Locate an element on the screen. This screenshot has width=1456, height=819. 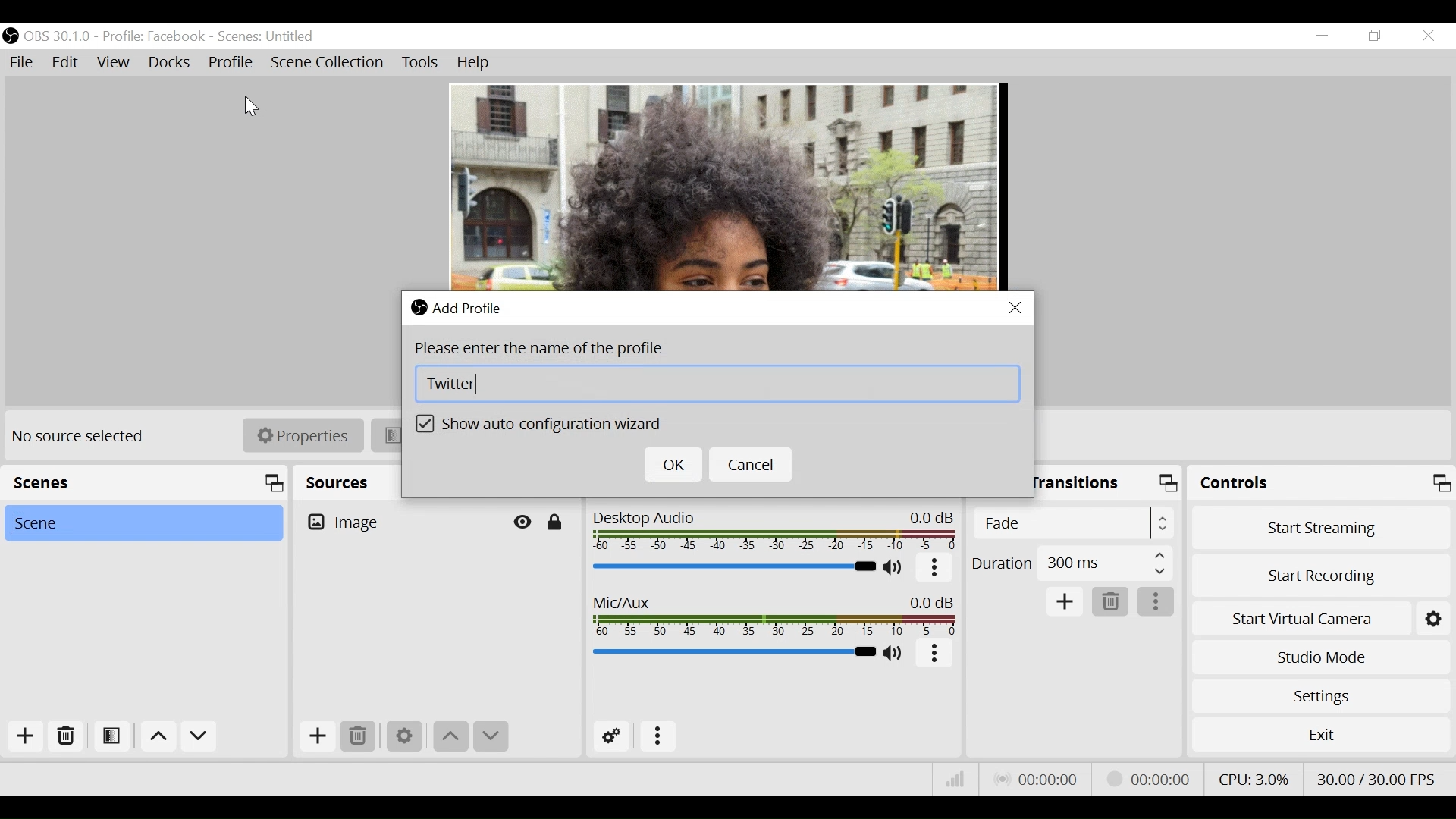
Scenes Name is located at coordinates (276, 36).